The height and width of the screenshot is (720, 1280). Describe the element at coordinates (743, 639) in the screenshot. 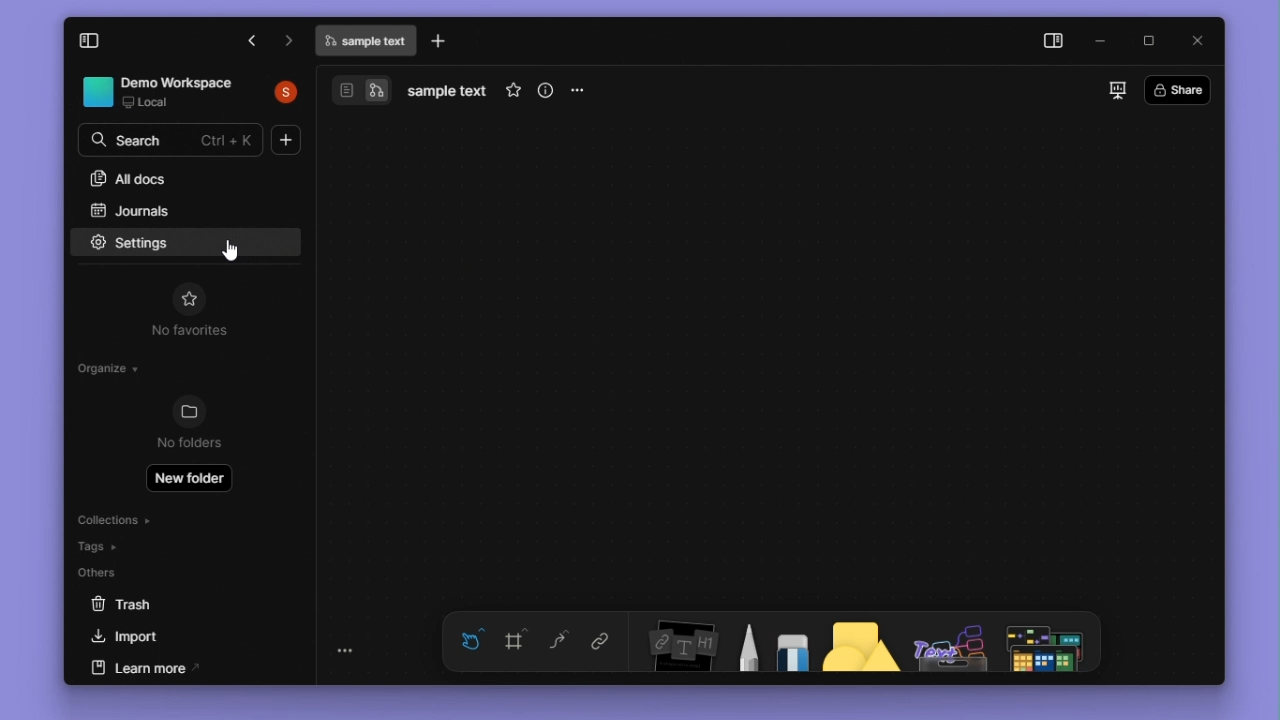

I see `Pen` at that location.